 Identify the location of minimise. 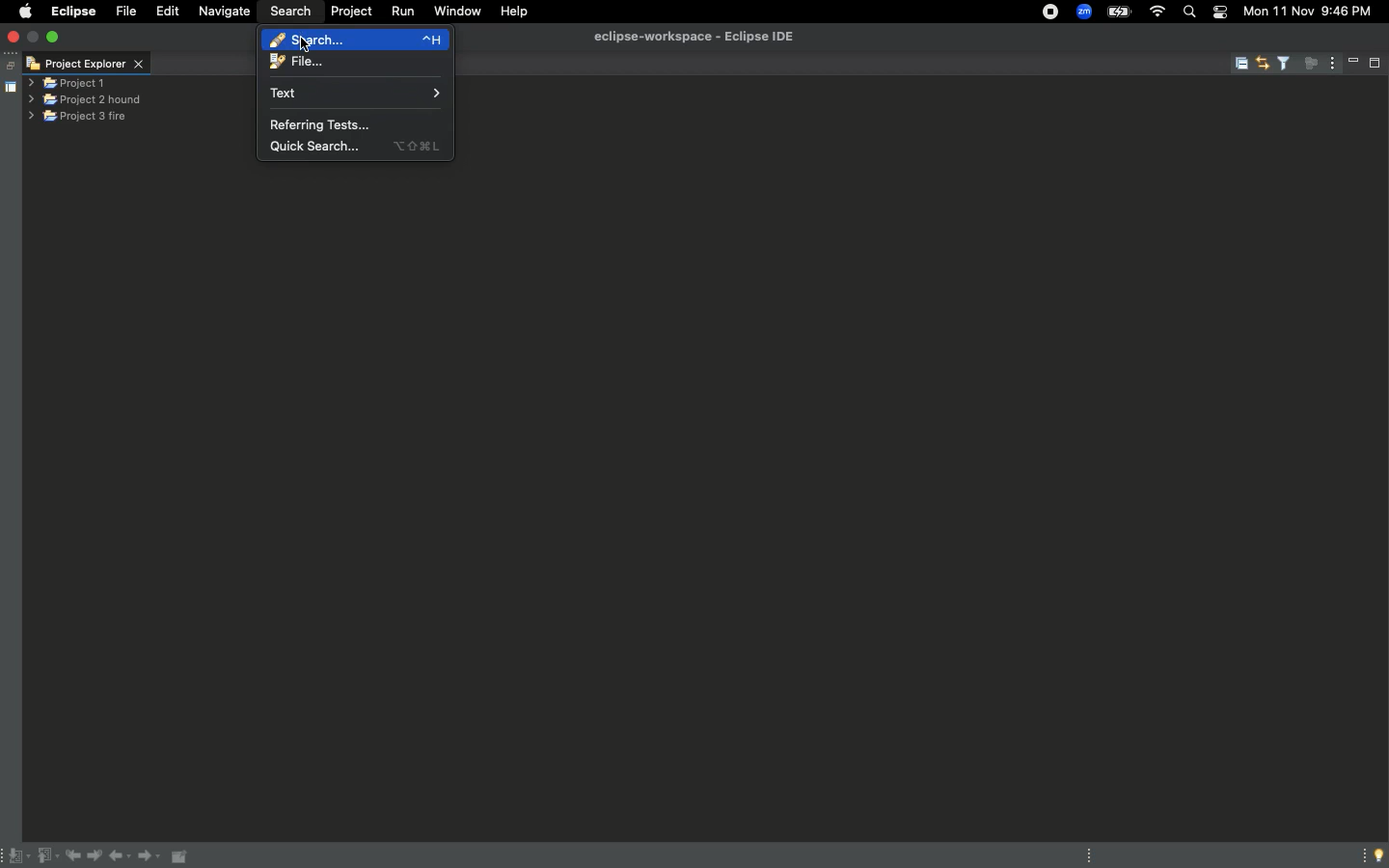
(33, 38).